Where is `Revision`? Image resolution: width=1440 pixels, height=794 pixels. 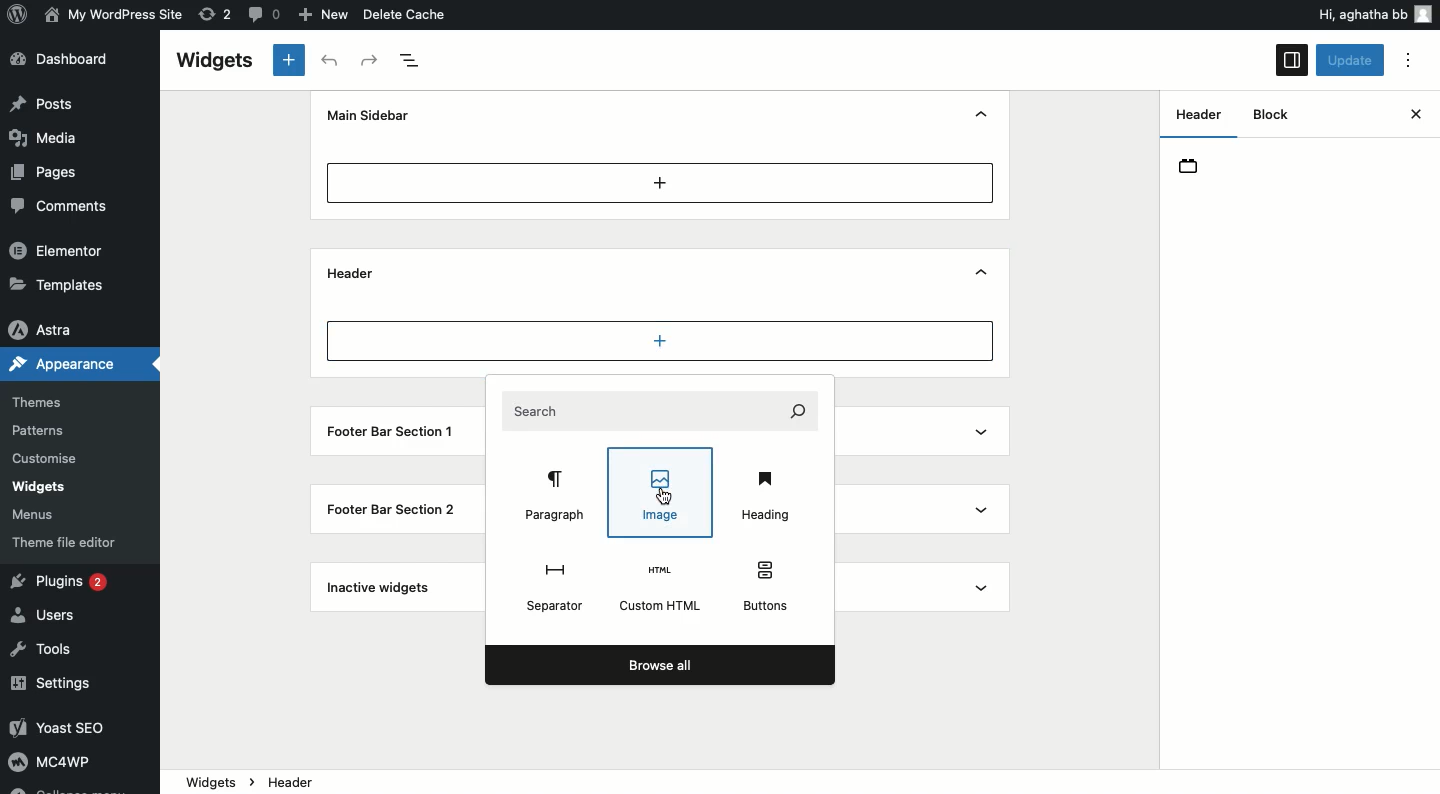 Revision is located at coordinates (216, 13).